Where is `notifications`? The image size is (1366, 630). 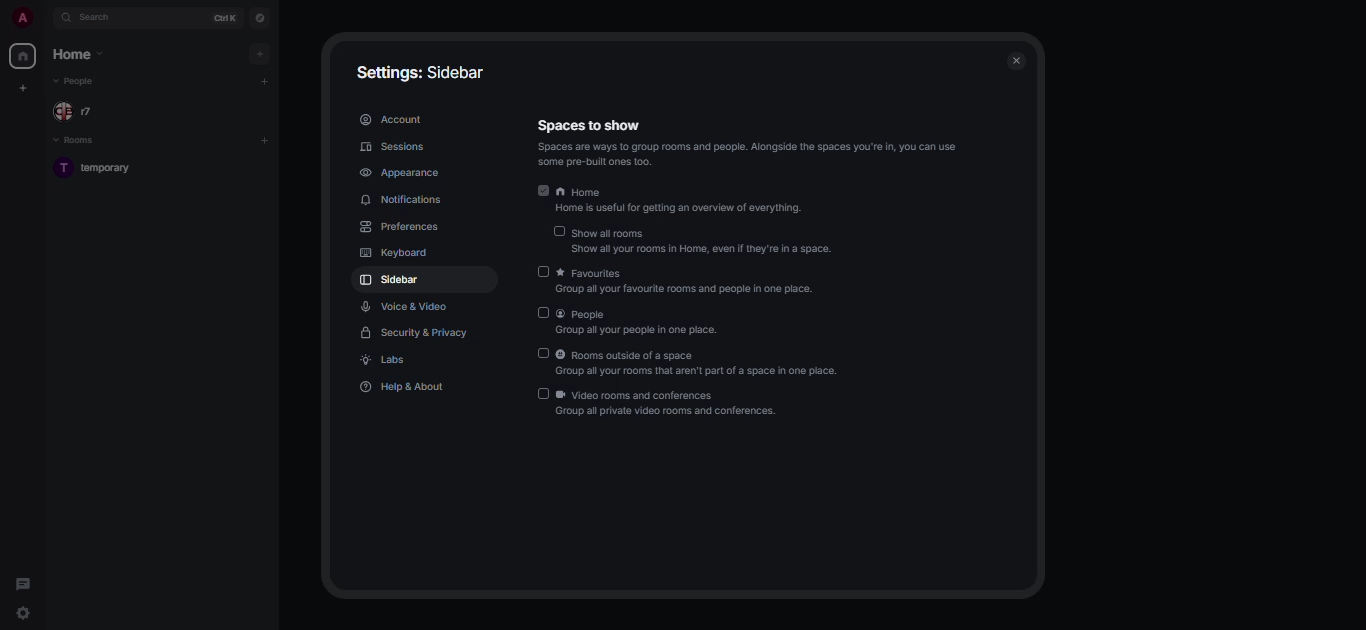
notifications is located at coordinates (400, 199).